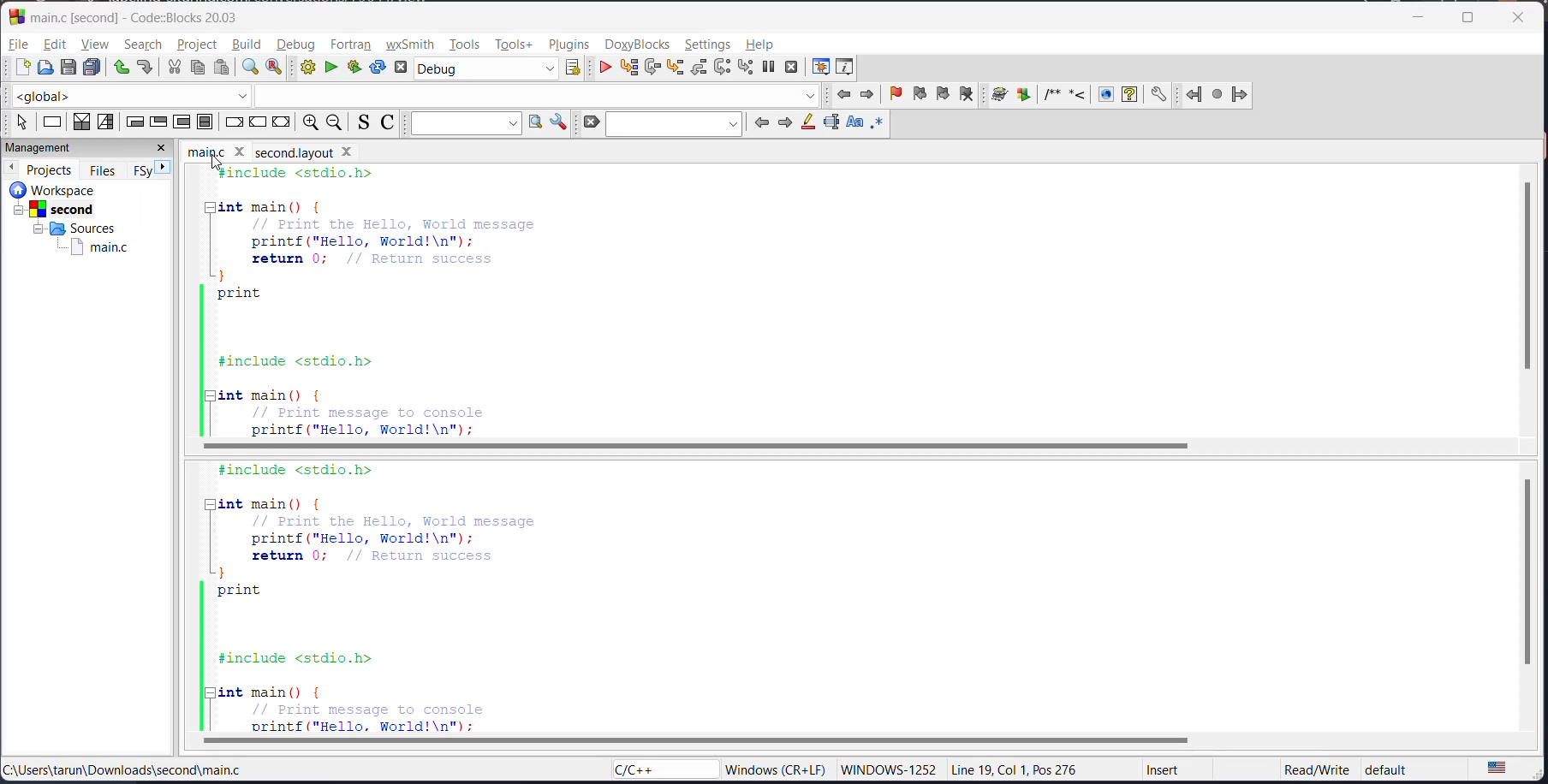  What do you see at coordinates (466, 124) in the screenshot?
I see `text to search` at bounding box center [466, 124].